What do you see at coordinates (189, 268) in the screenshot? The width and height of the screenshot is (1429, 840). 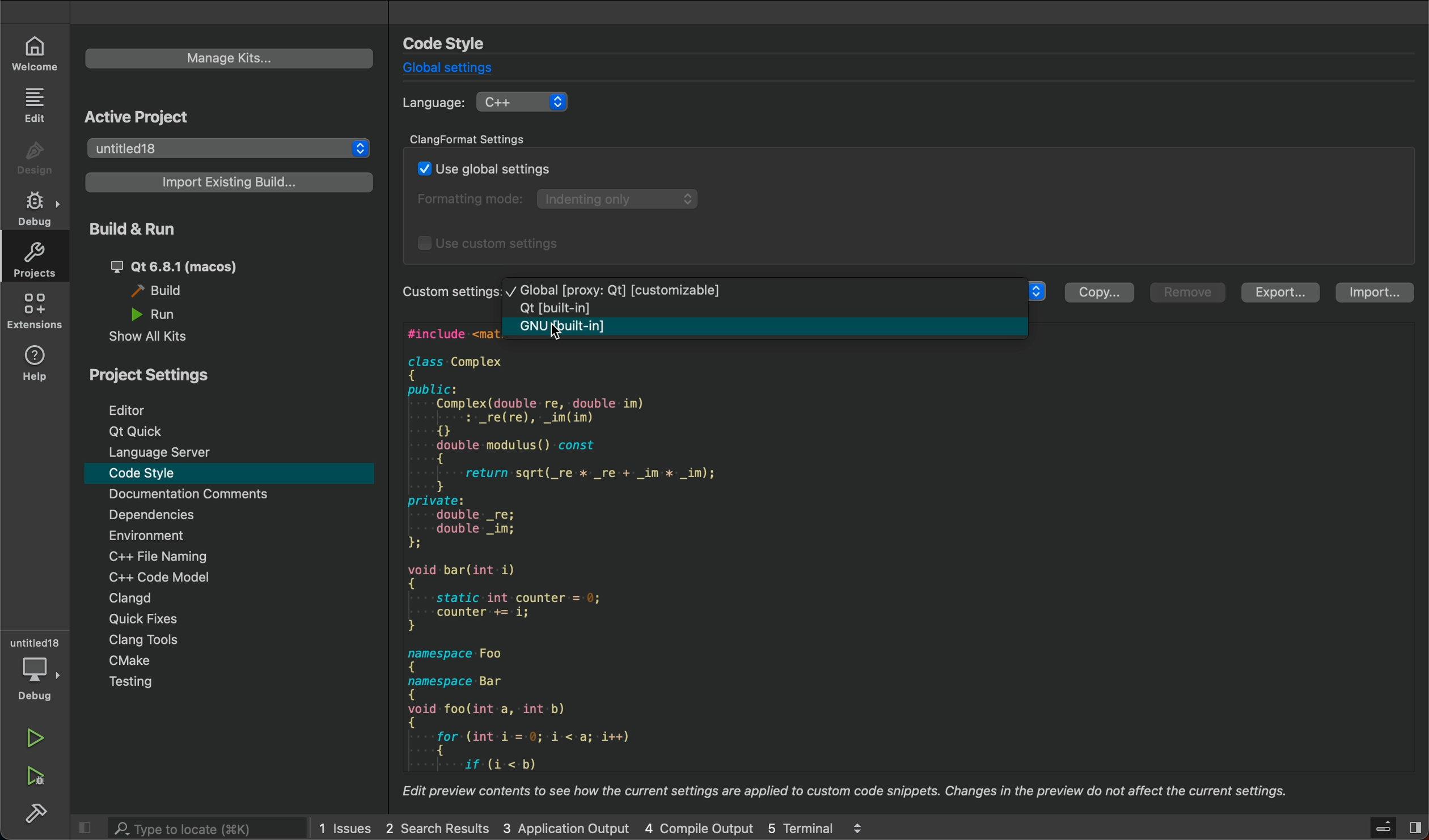 I see `qt 6.8.1 (macos)` at bounding box center [189, 268].